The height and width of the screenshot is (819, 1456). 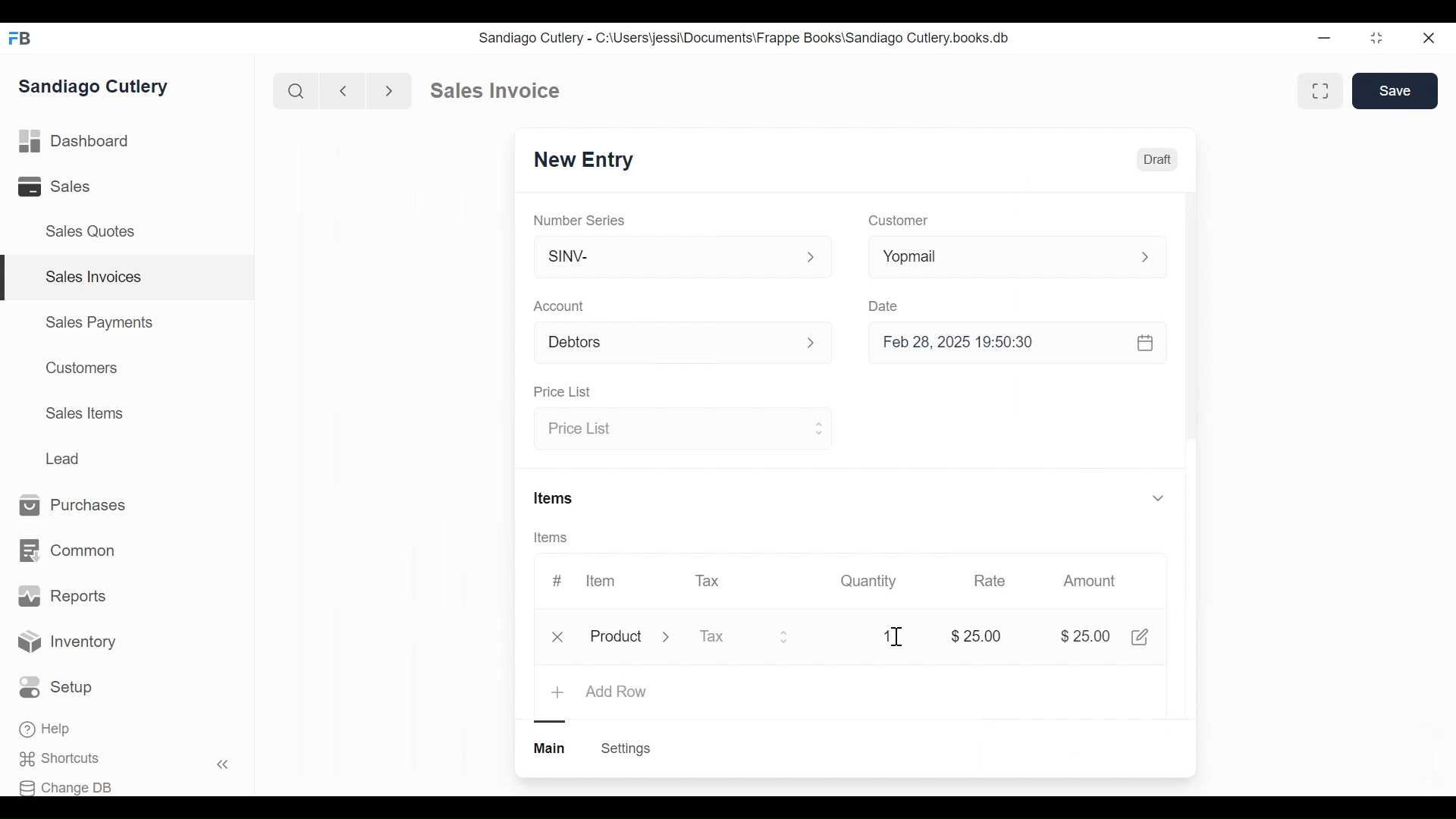 What do you see at coordinates (62, 596) in the screenshot?
I see `Reports` at bounding box center [62, 596].